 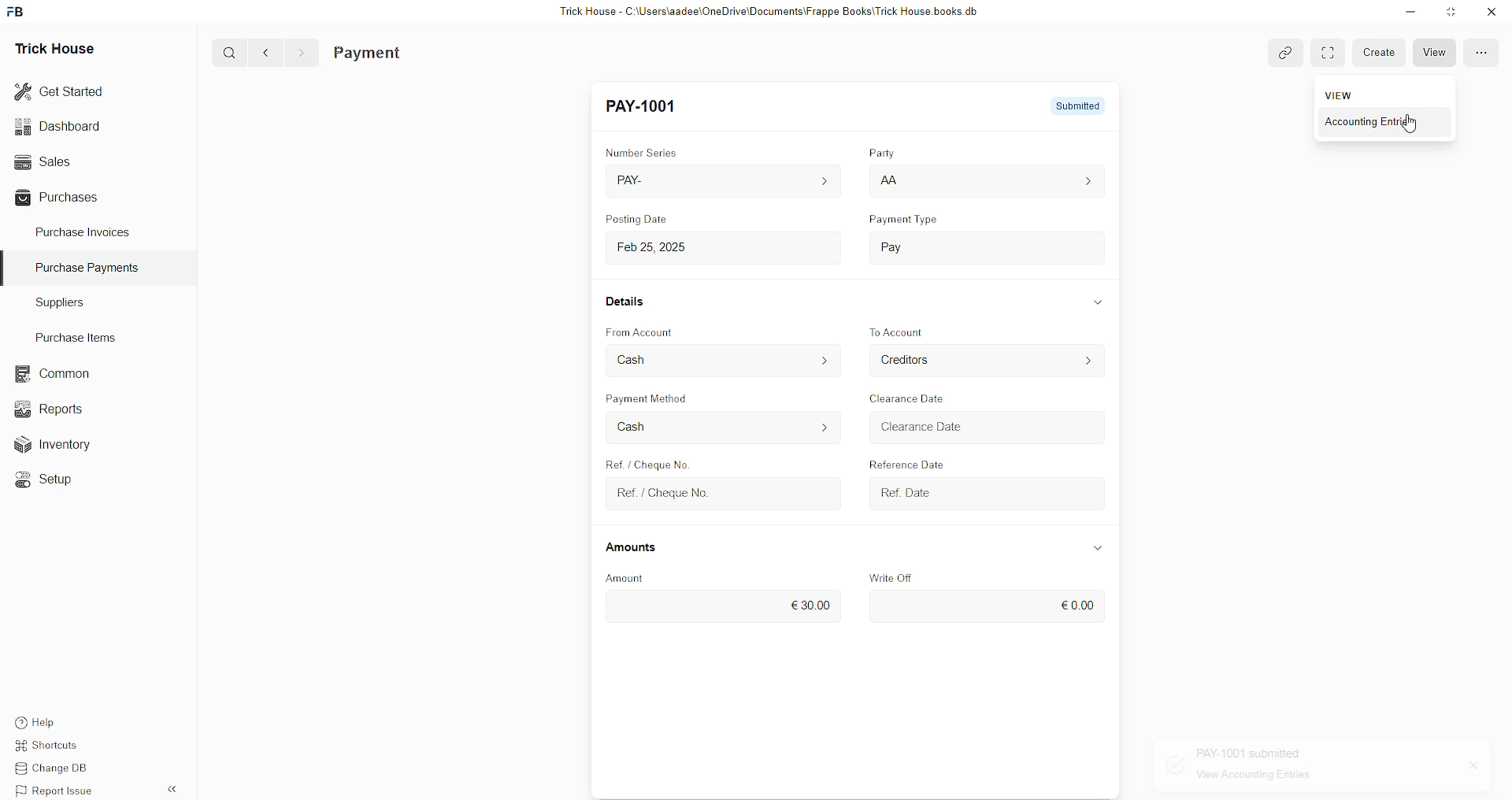 What do you see at coordinates (1480, 51) in the screenshot?
I see `menu` at bounding box center [1480, 51].